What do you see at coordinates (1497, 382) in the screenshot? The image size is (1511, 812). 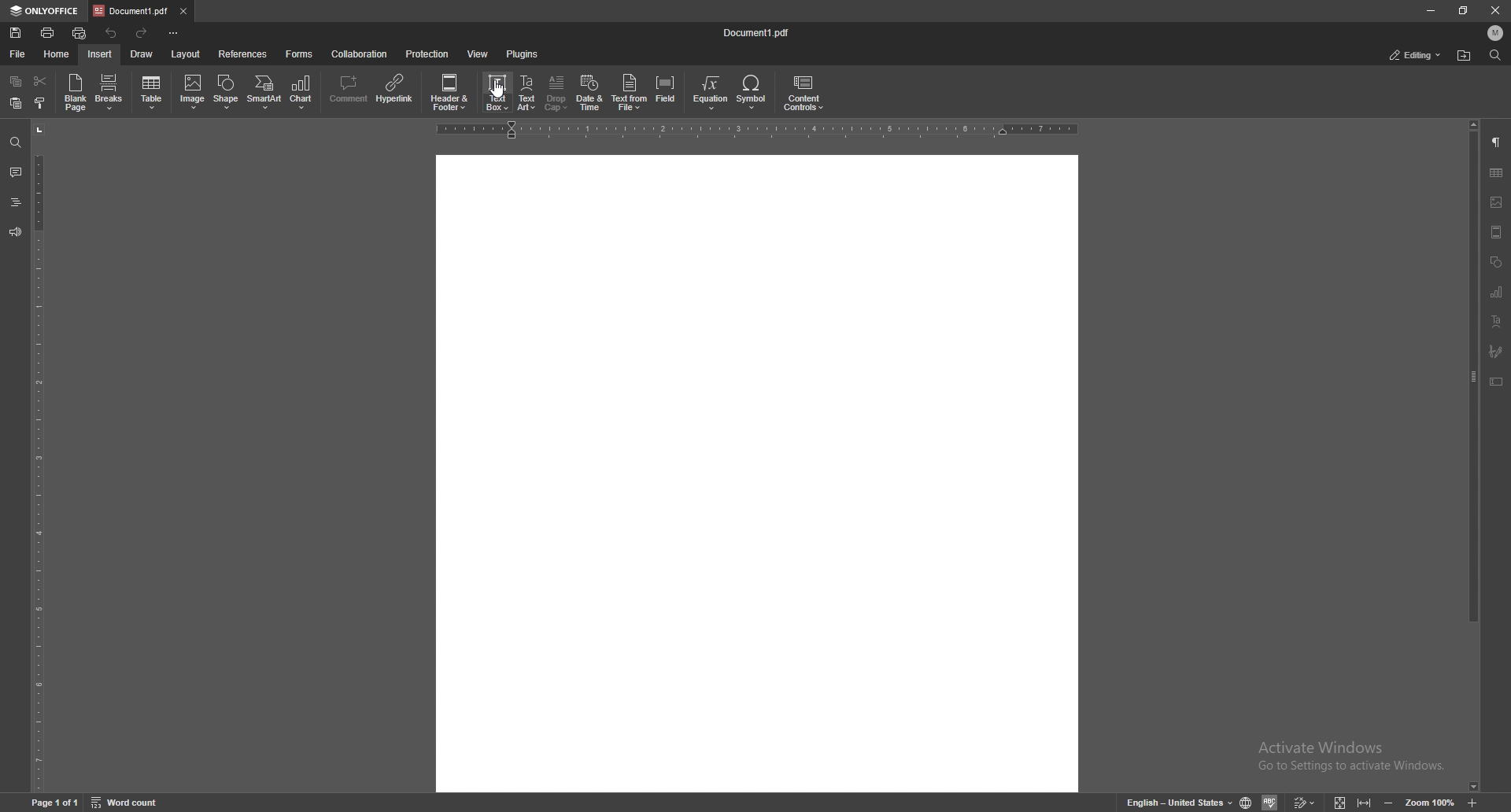 I see `text box` at bounding box center [1497, 382].